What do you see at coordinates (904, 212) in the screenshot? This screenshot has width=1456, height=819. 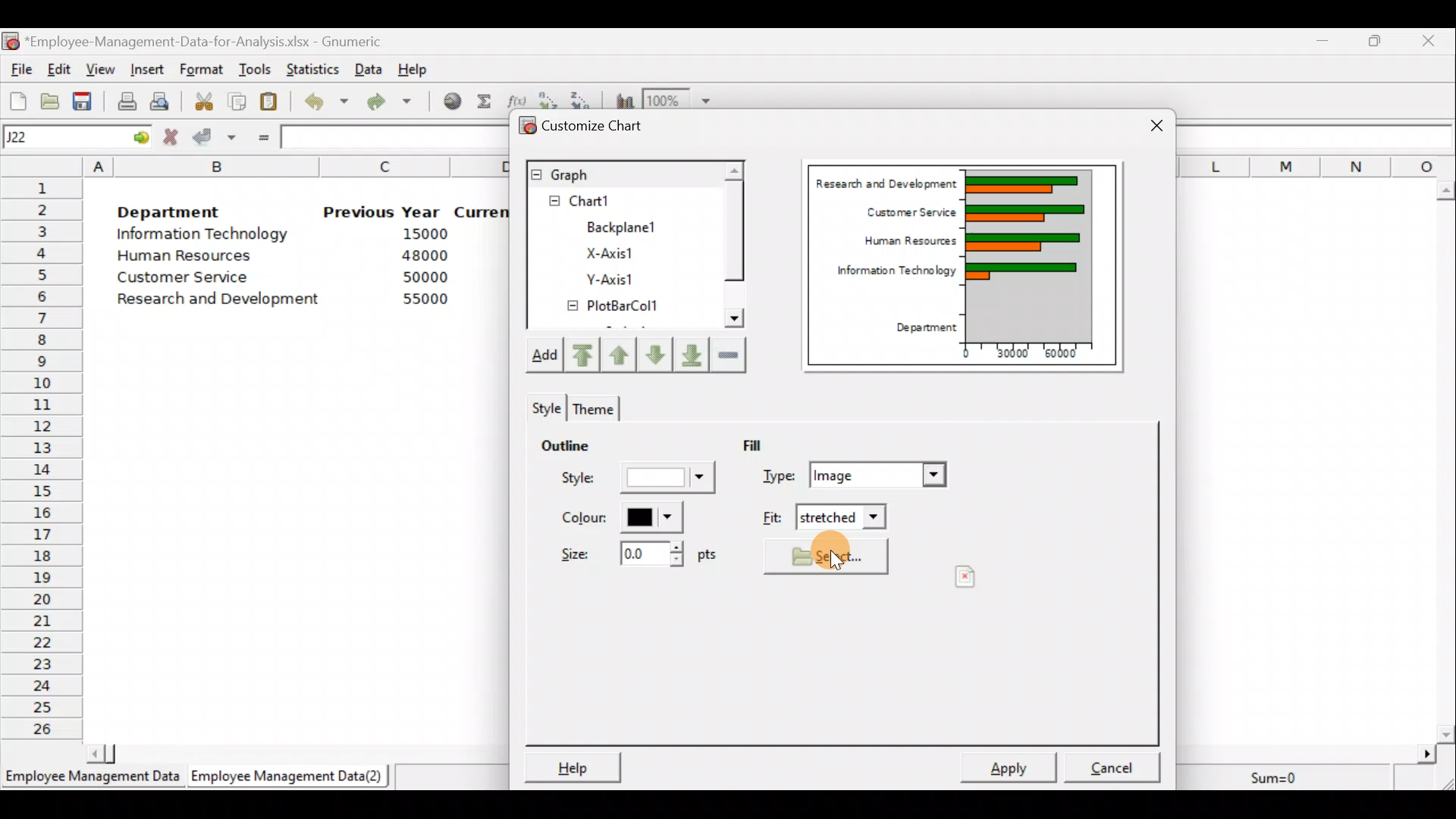 I see `Customer Service` at bounding box center [904, 212].